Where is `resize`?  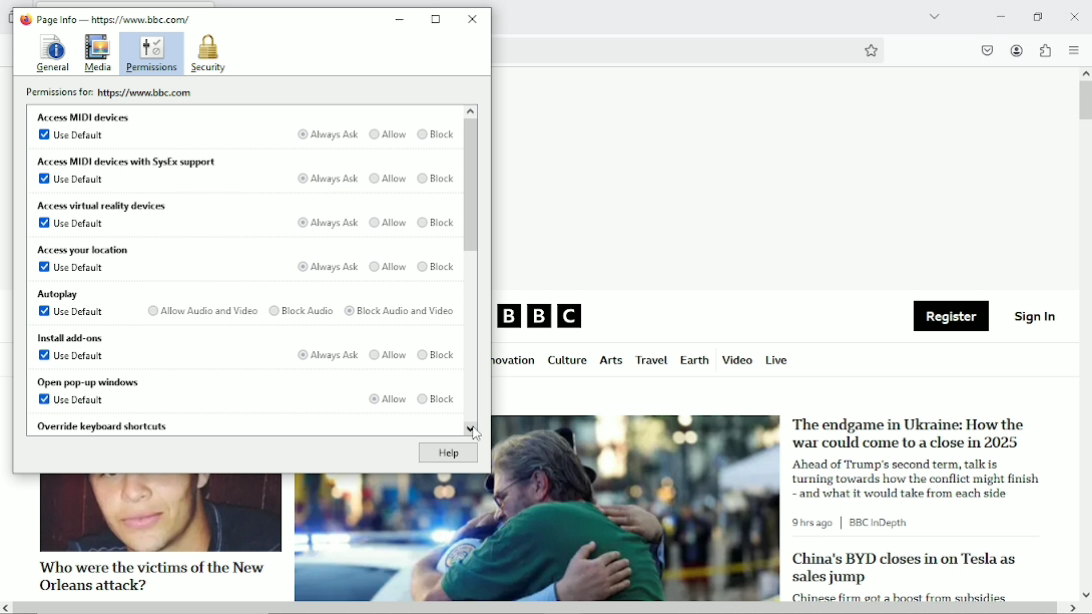
resize is located at coordinates (437, 19).